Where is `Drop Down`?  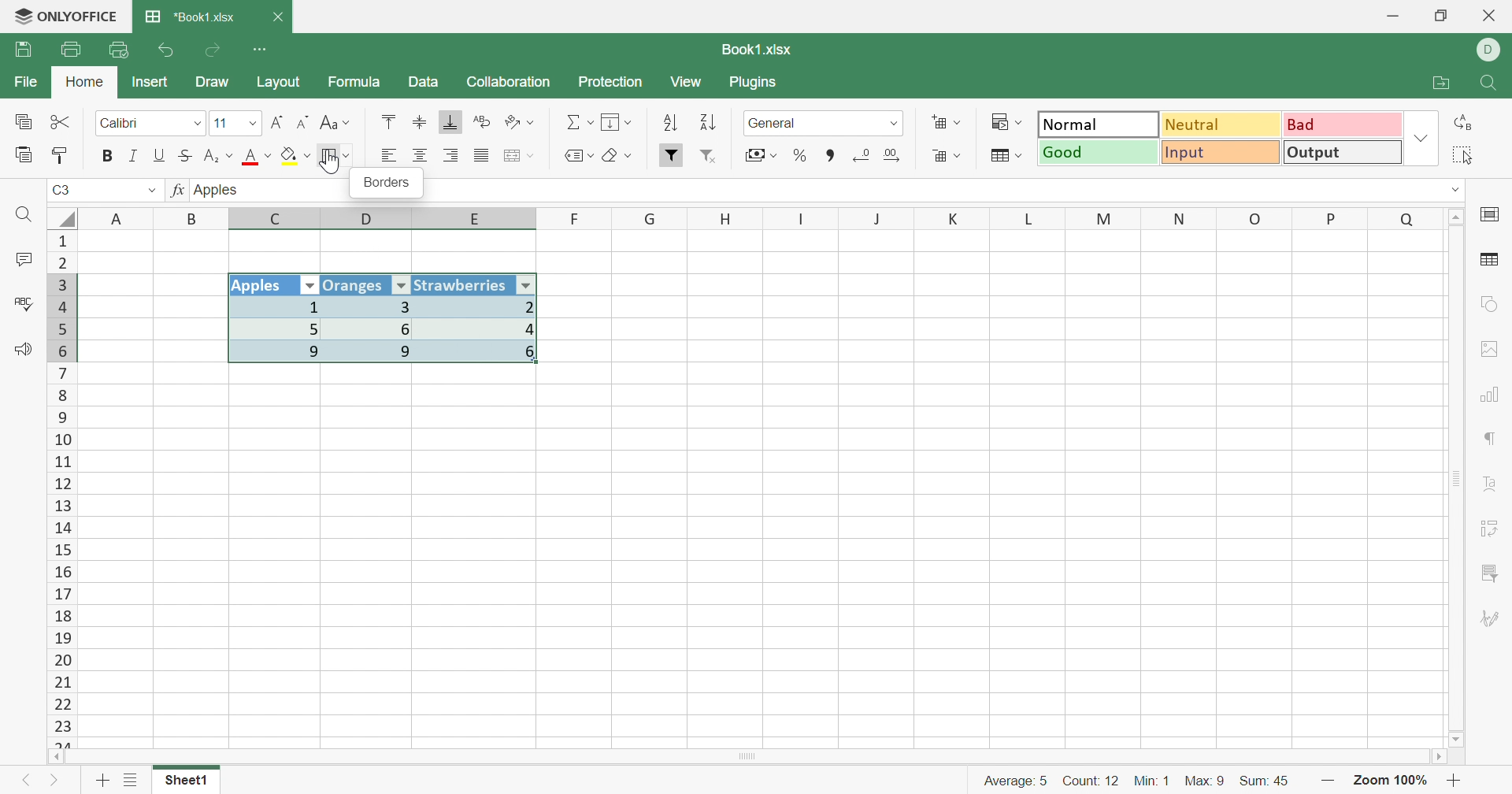
Drop Down is located at coordinates (195, 124).